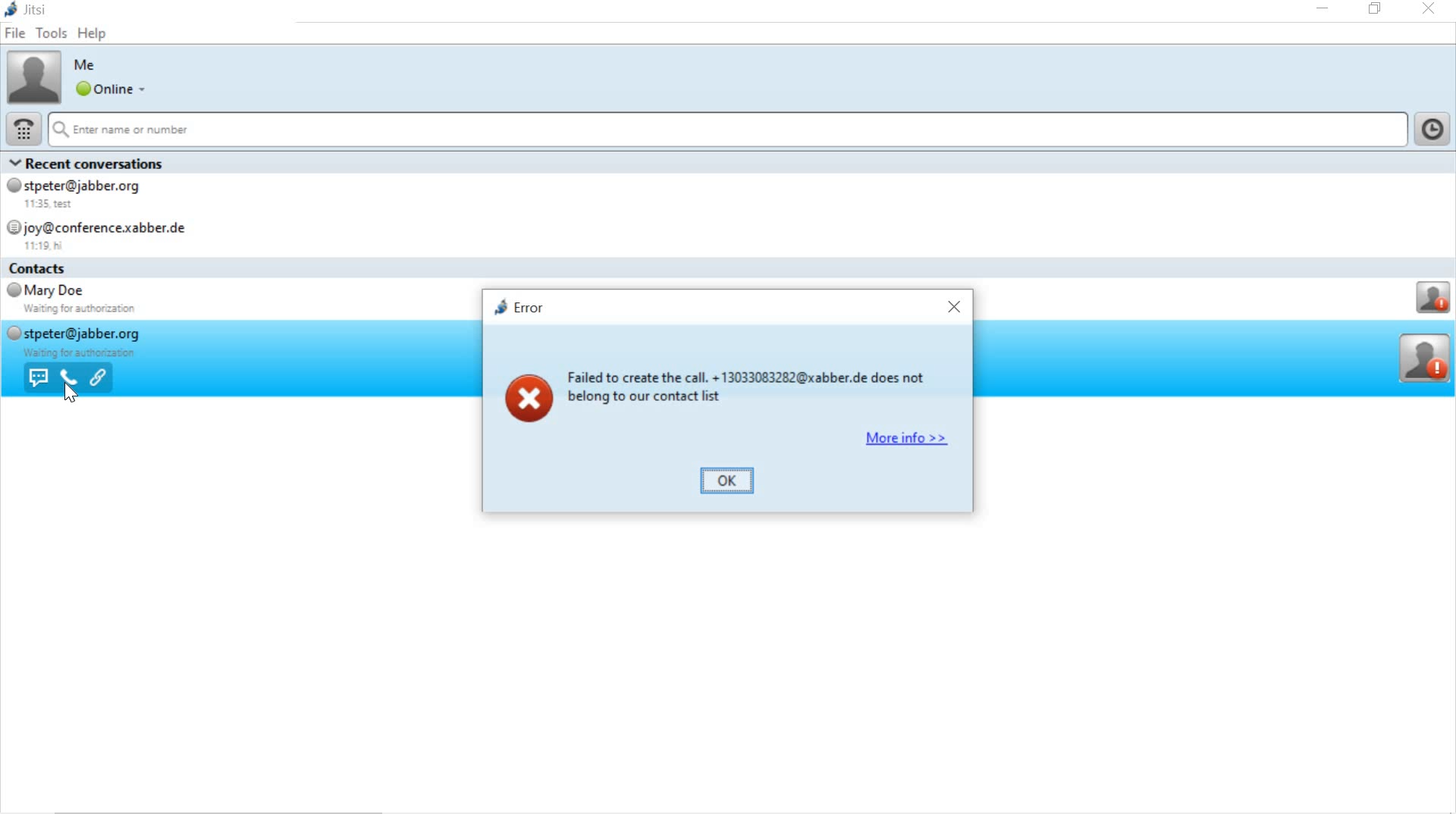 This screenshot has height=814, width=1456. I want to click on OK, so click(733, 483).